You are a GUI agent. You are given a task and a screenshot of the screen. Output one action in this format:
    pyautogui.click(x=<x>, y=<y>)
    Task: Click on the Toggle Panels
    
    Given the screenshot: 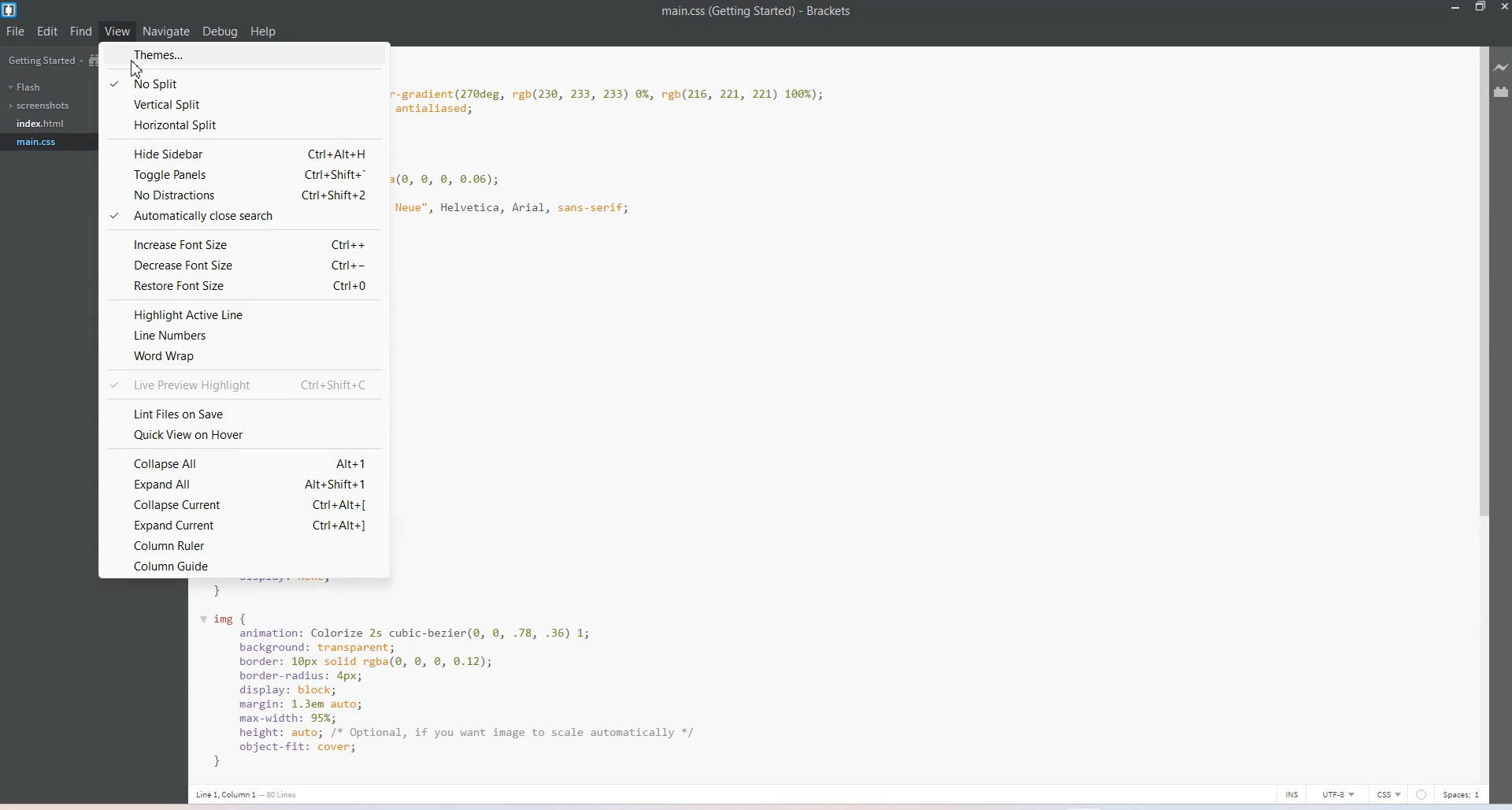 What is the action you would take?
    pyautogui.click(x=243, y=175)
    